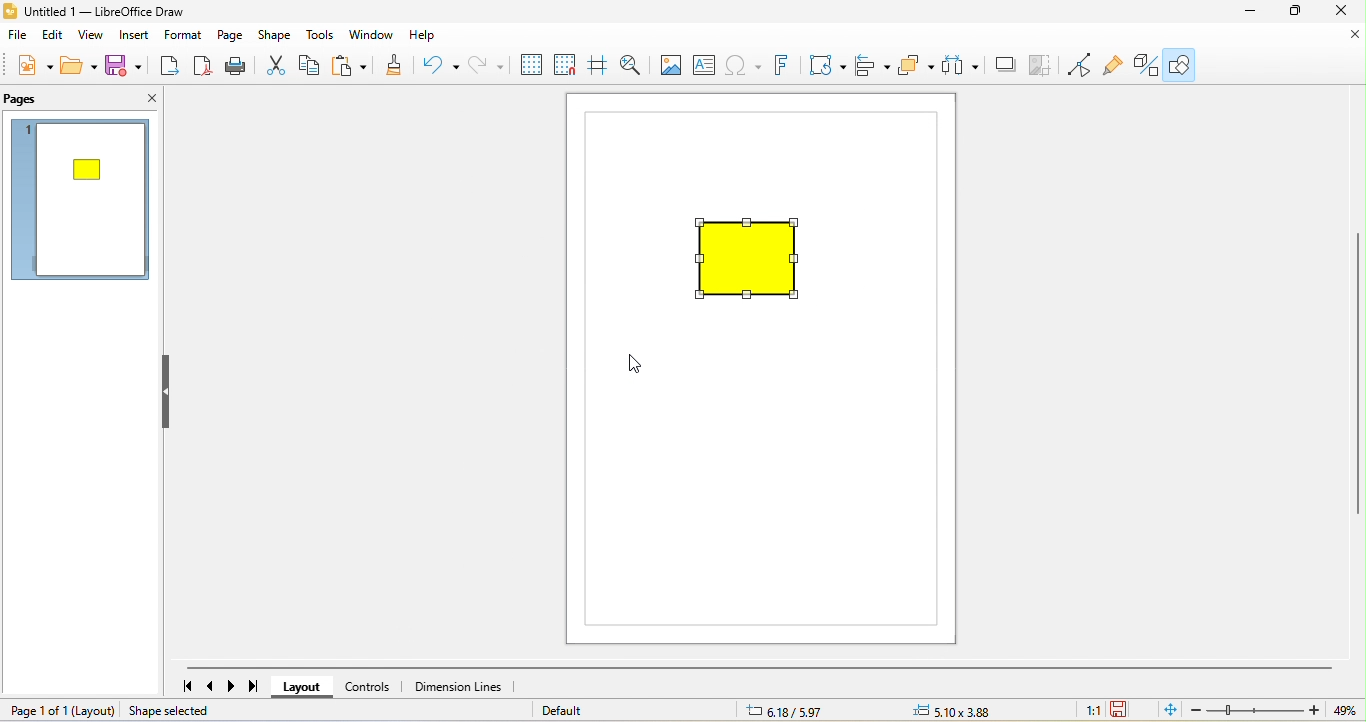 This screenshot has width=1366, height=722. What do you see at coordinates (125, 67) in the screenshot?
I see `save` at bounding box center [125, 67].